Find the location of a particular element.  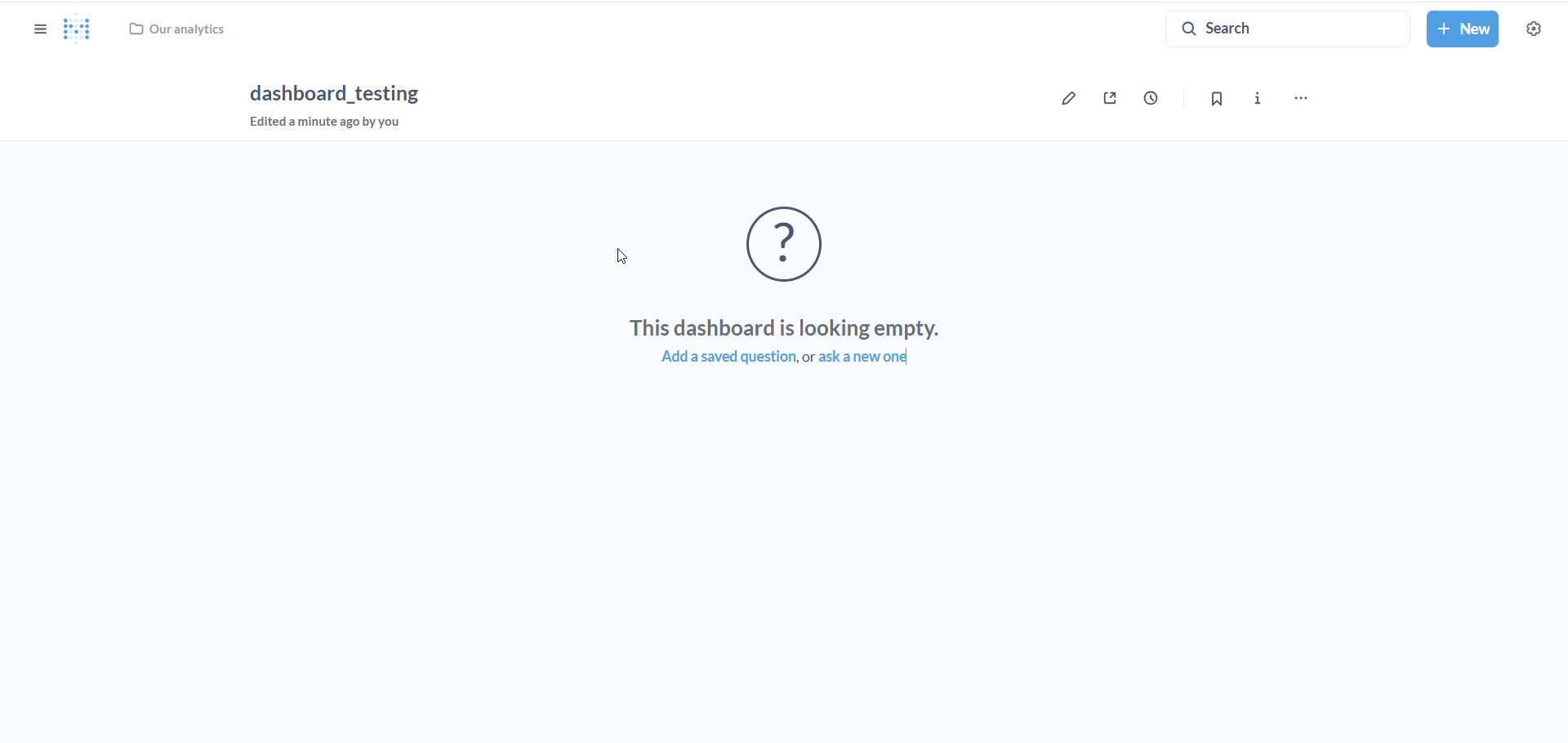

Edited a minute ago by you is located at coordinates (340, 122).